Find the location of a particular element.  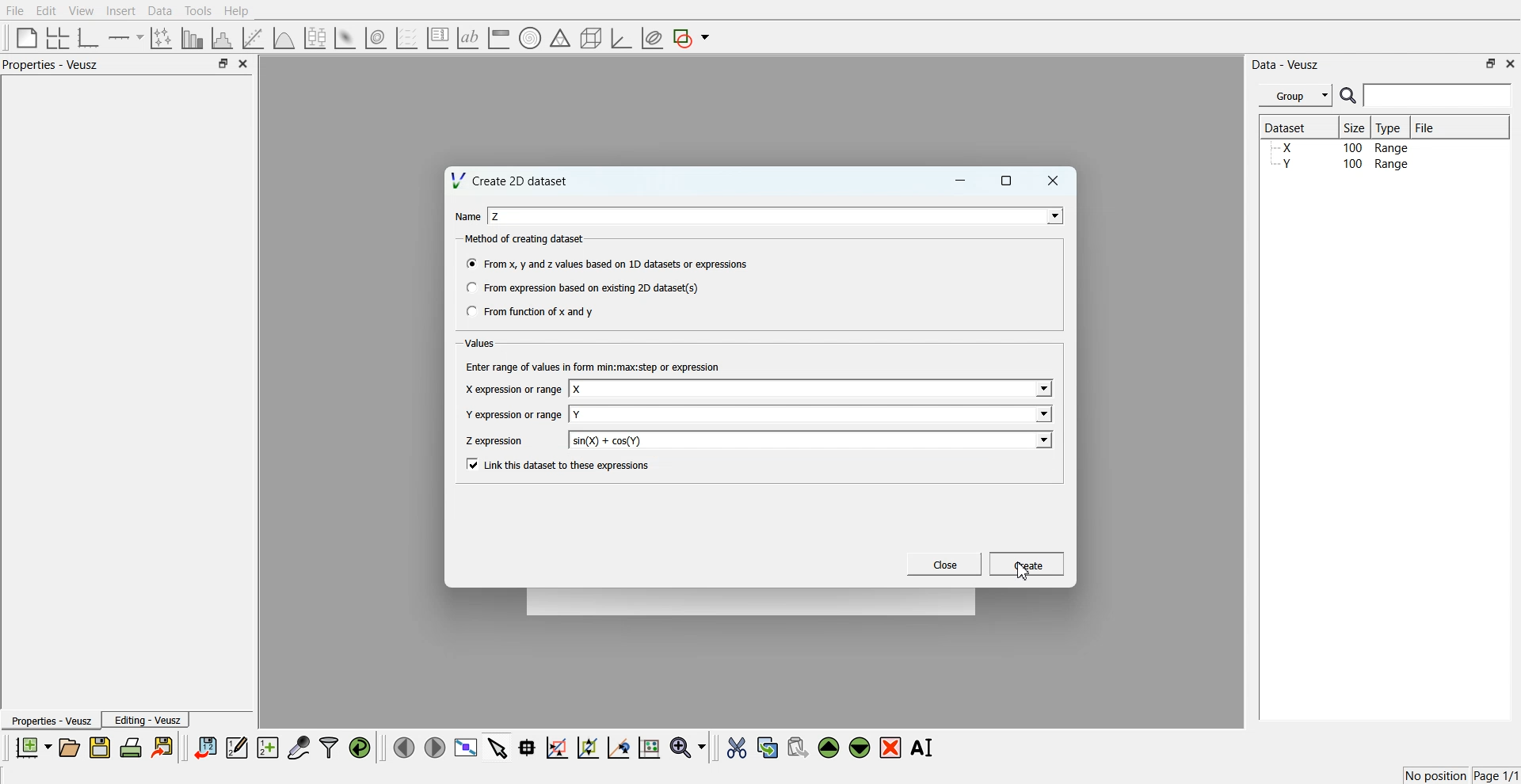

Plot bar chart is located at coordinates (192, 38).